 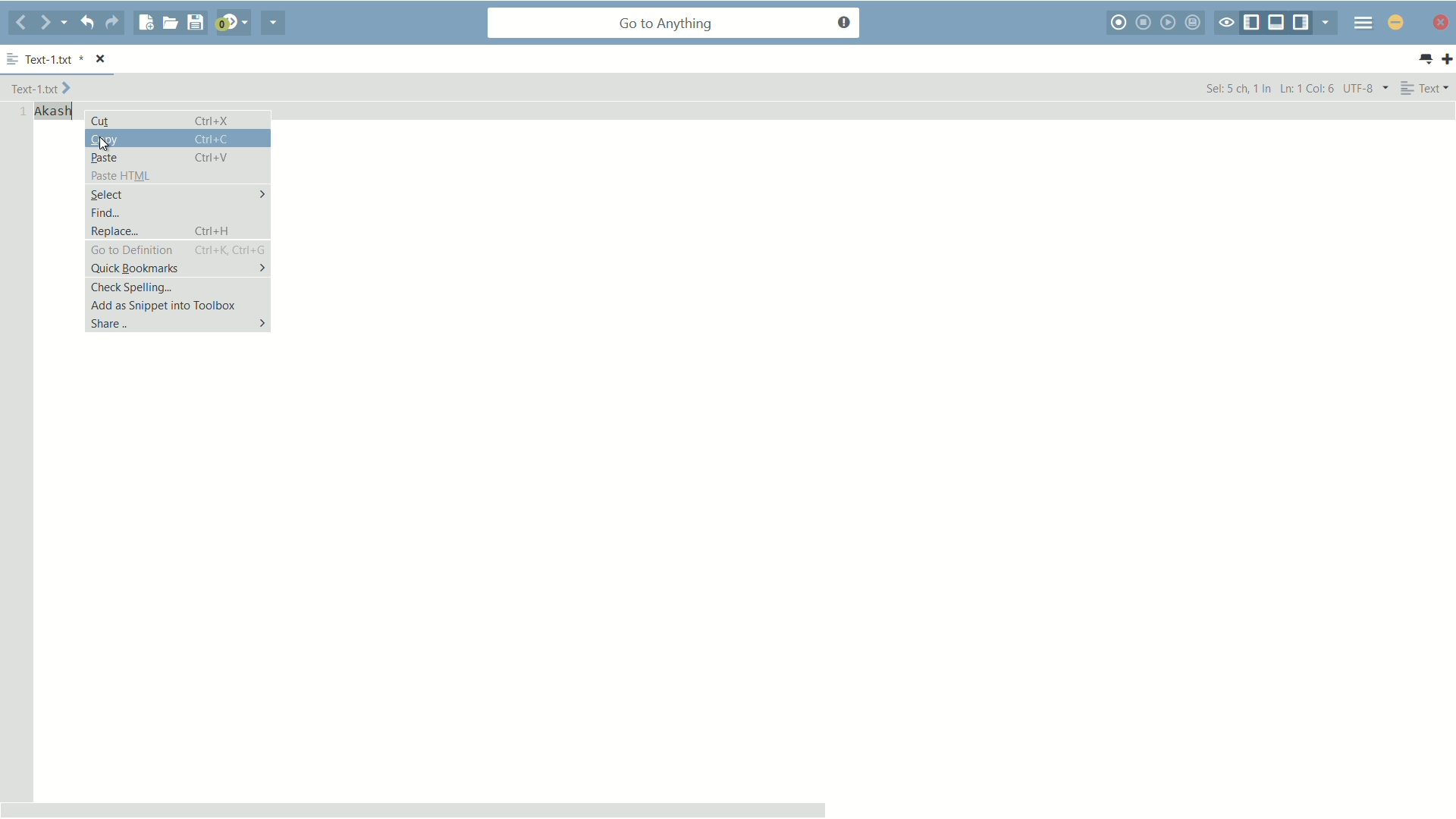 What do you see at coordinates (21, 24) in the screenshot?
I see `back` at bounding box center [21, 24].